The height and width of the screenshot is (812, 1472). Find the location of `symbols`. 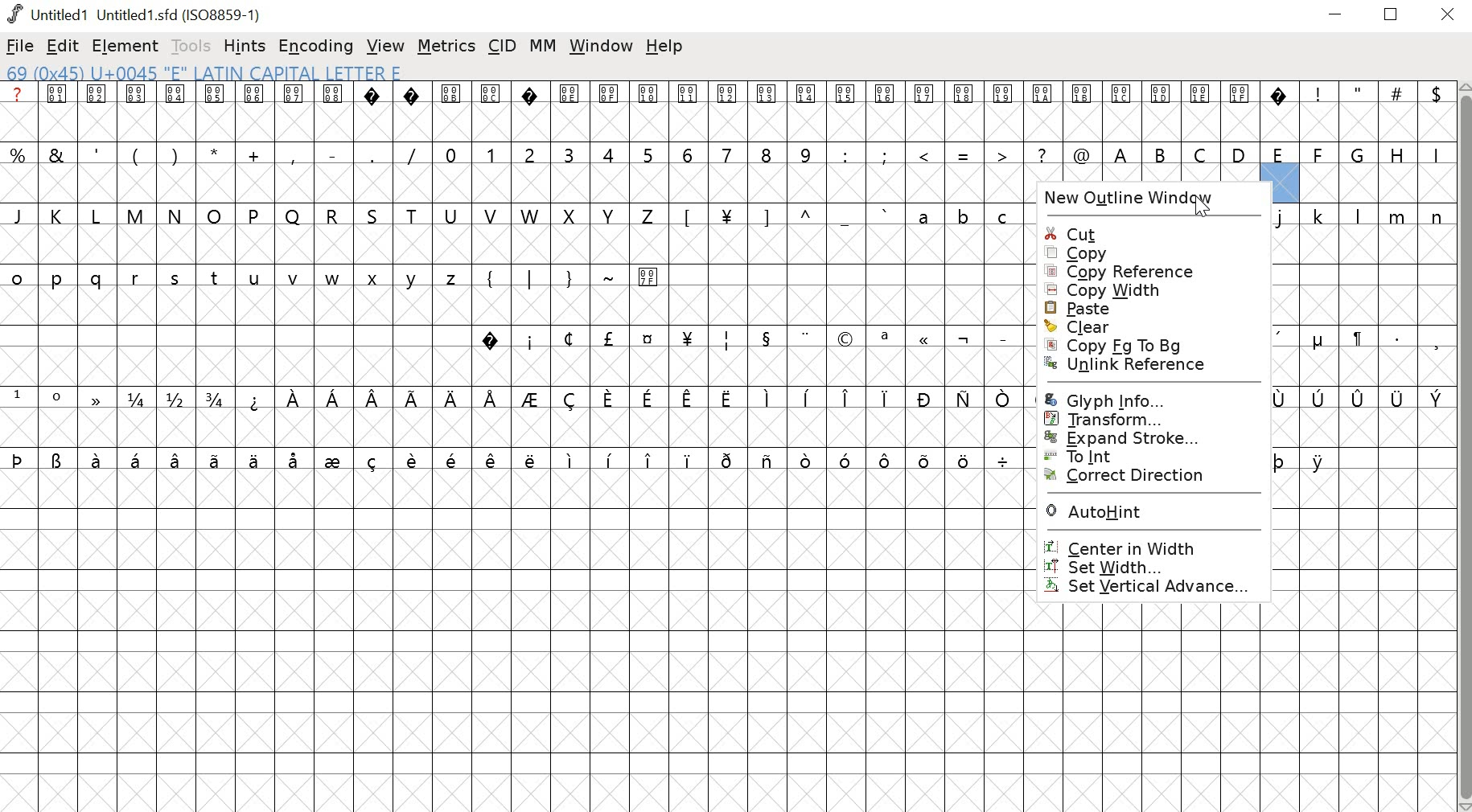

symbols is located at coordinates (216, 152).